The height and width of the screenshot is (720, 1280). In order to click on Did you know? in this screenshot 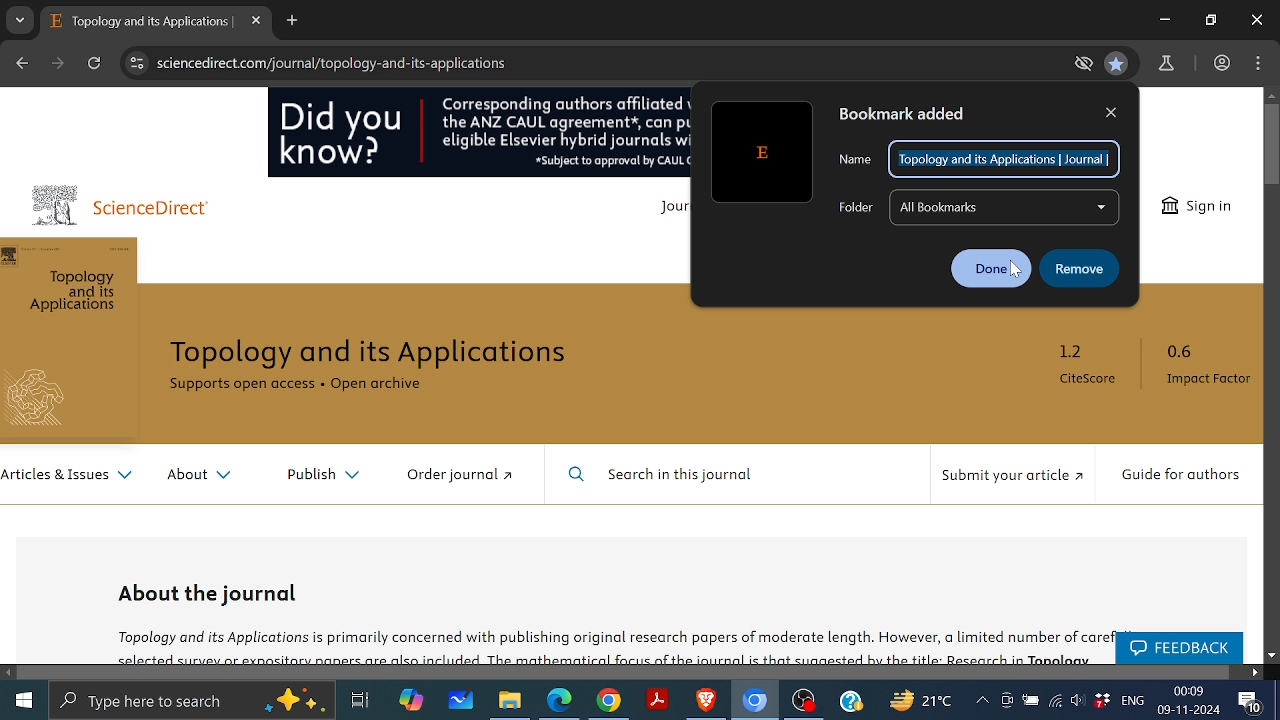, I will do `click(344, 137)`.